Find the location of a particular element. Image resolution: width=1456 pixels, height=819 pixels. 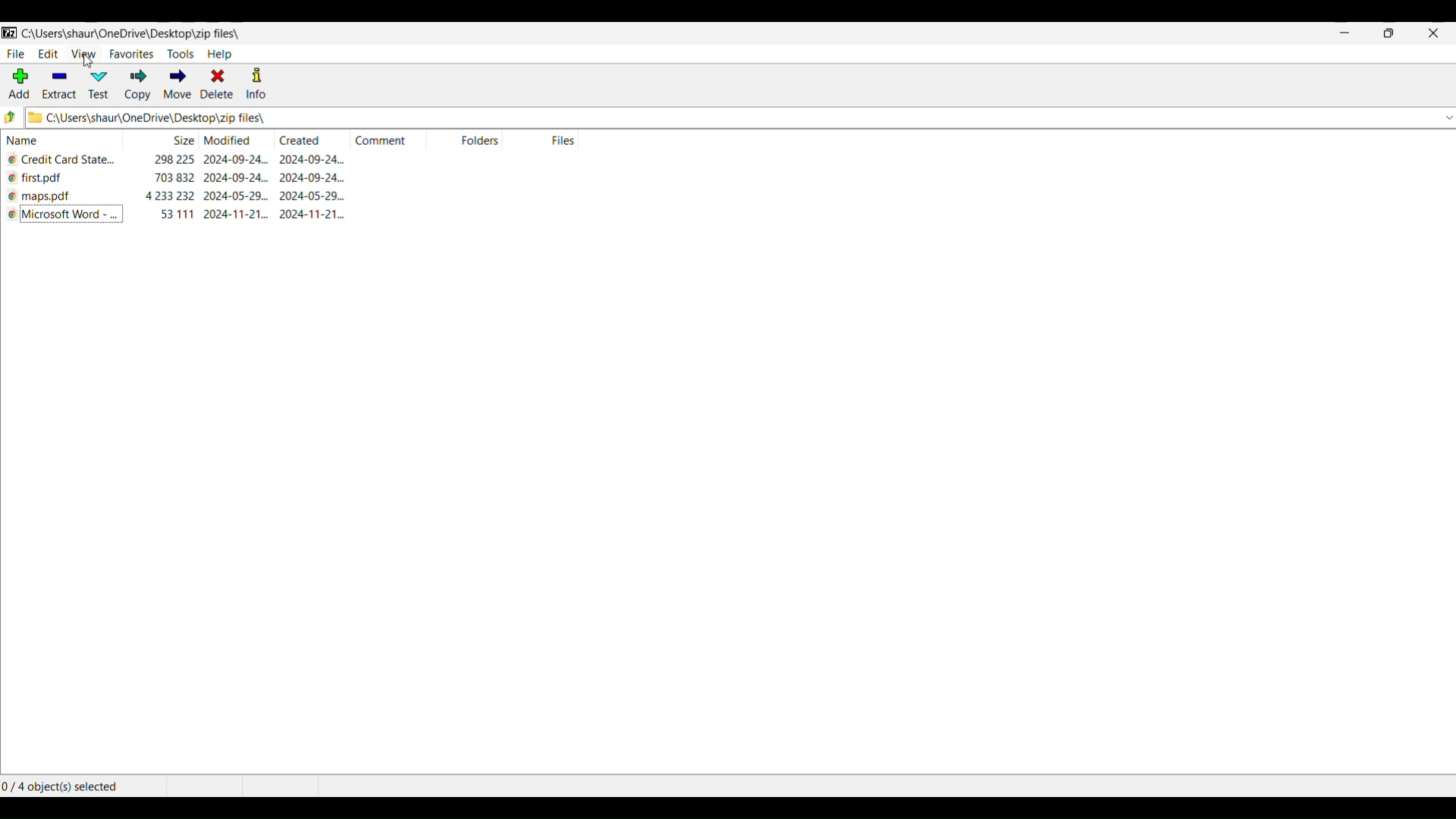

number of object selected is located at coordinates (78, 784).